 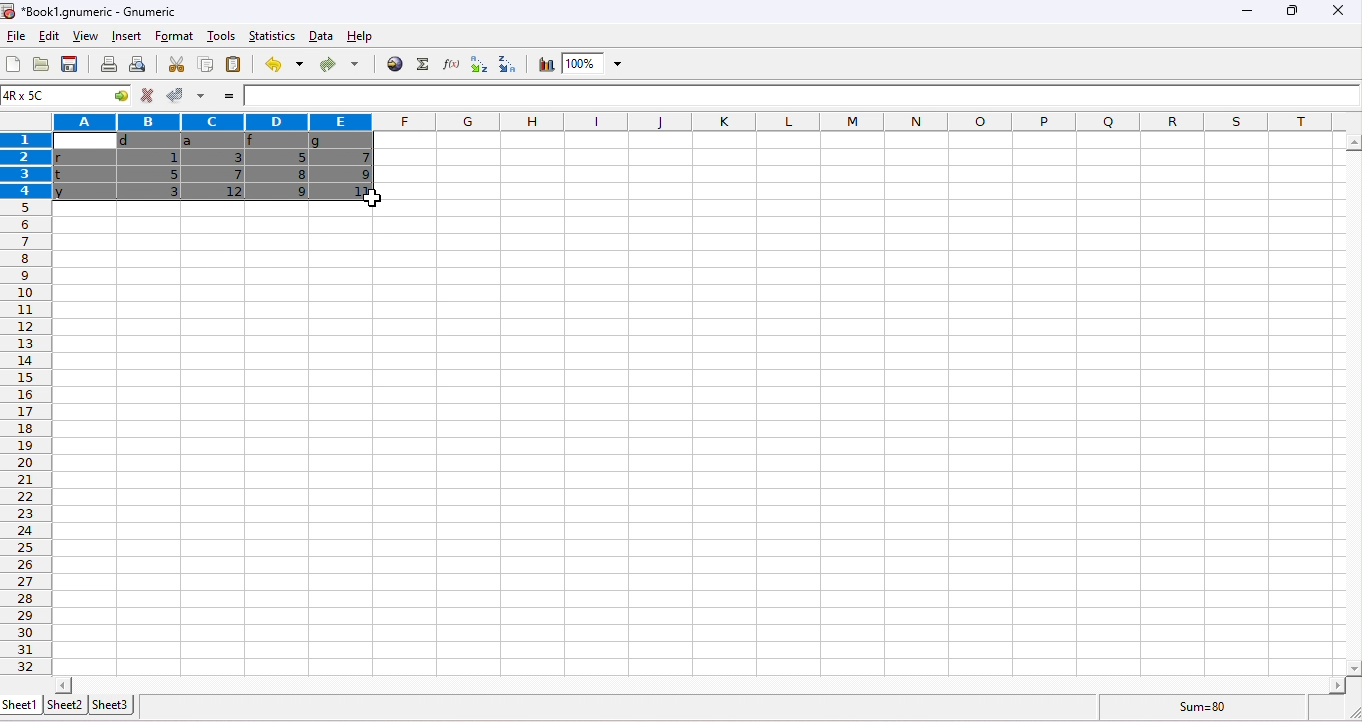 I want to click on statistics, so click(x=272, y=35).